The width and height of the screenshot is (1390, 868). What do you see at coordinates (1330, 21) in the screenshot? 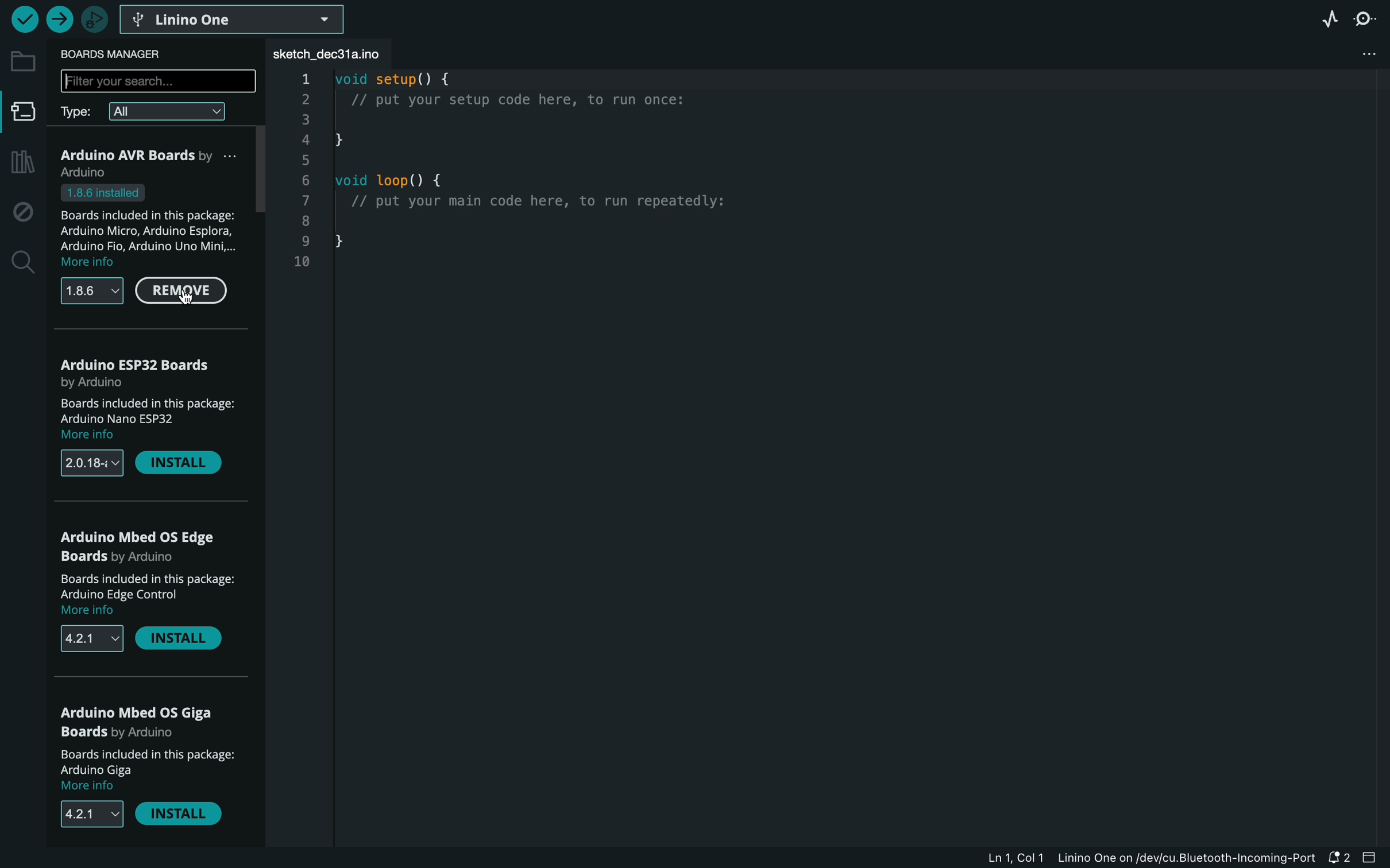
I see `serial plotter` at bounding box center [1330, 21].